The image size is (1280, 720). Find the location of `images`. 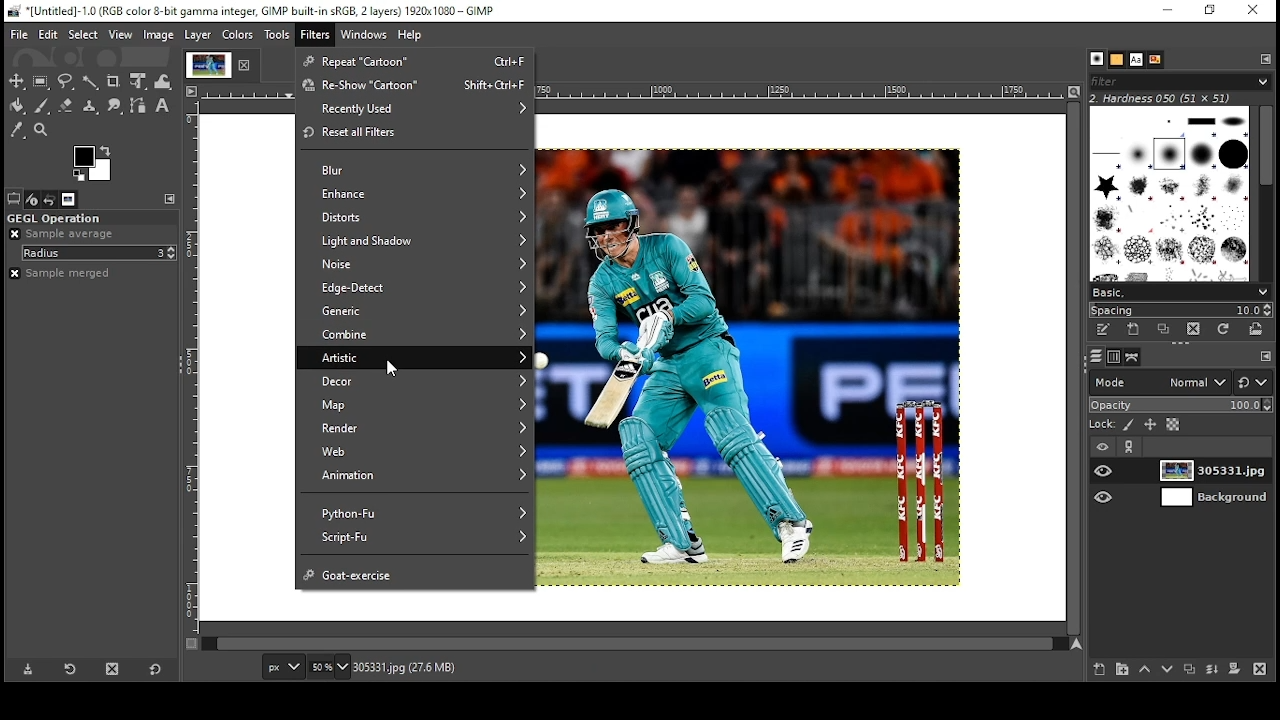

images is located at coordinates (69, 200).